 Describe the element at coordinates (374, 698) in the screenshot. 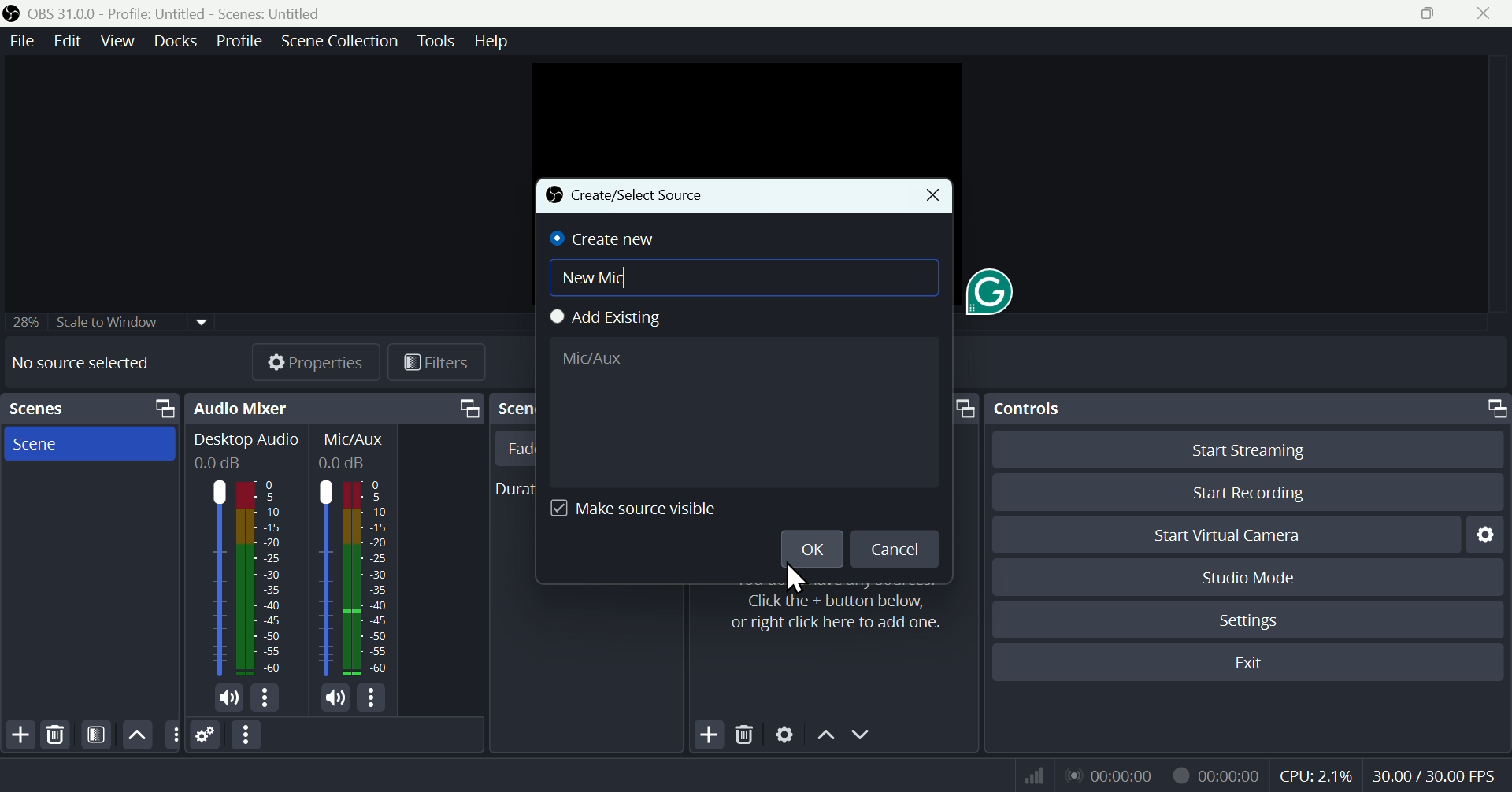

I see `More options` at that location.